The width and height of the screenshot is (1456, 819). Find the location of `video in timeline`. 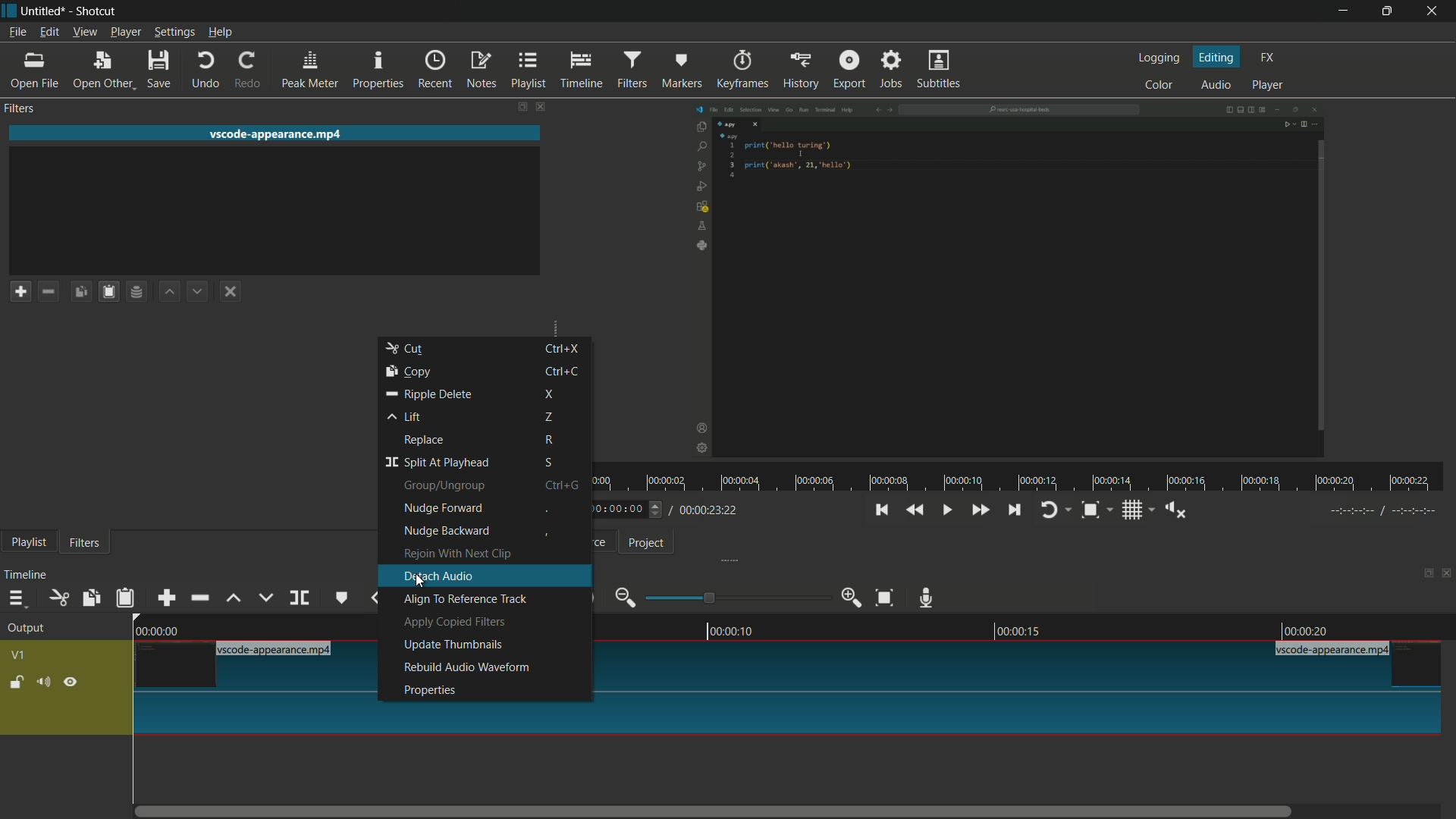

video in timeline is located at coordinates (1027, 701).